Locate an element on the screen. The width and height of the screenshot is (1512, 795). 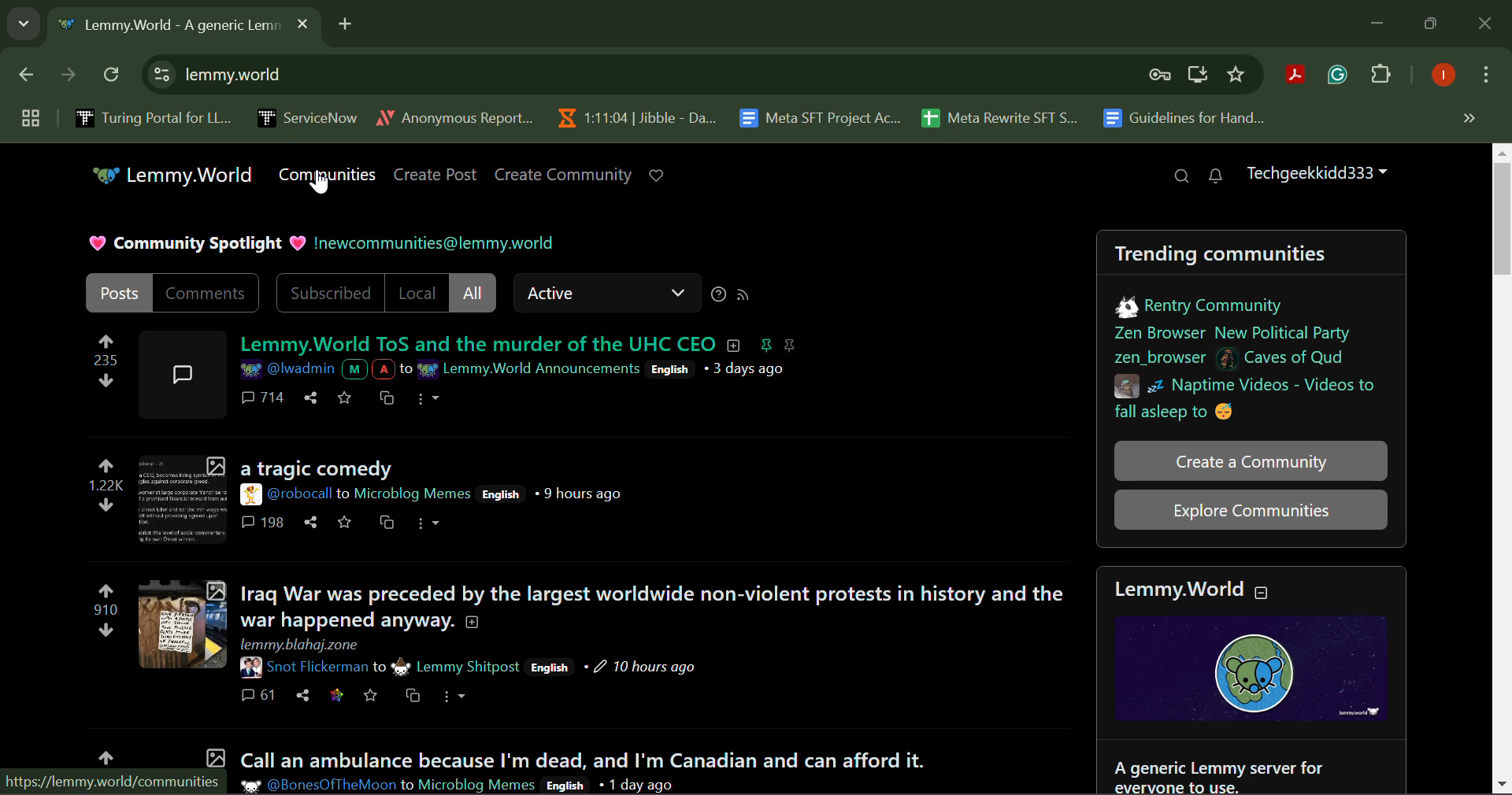
Plugins is located at coordinates (1381, 77).